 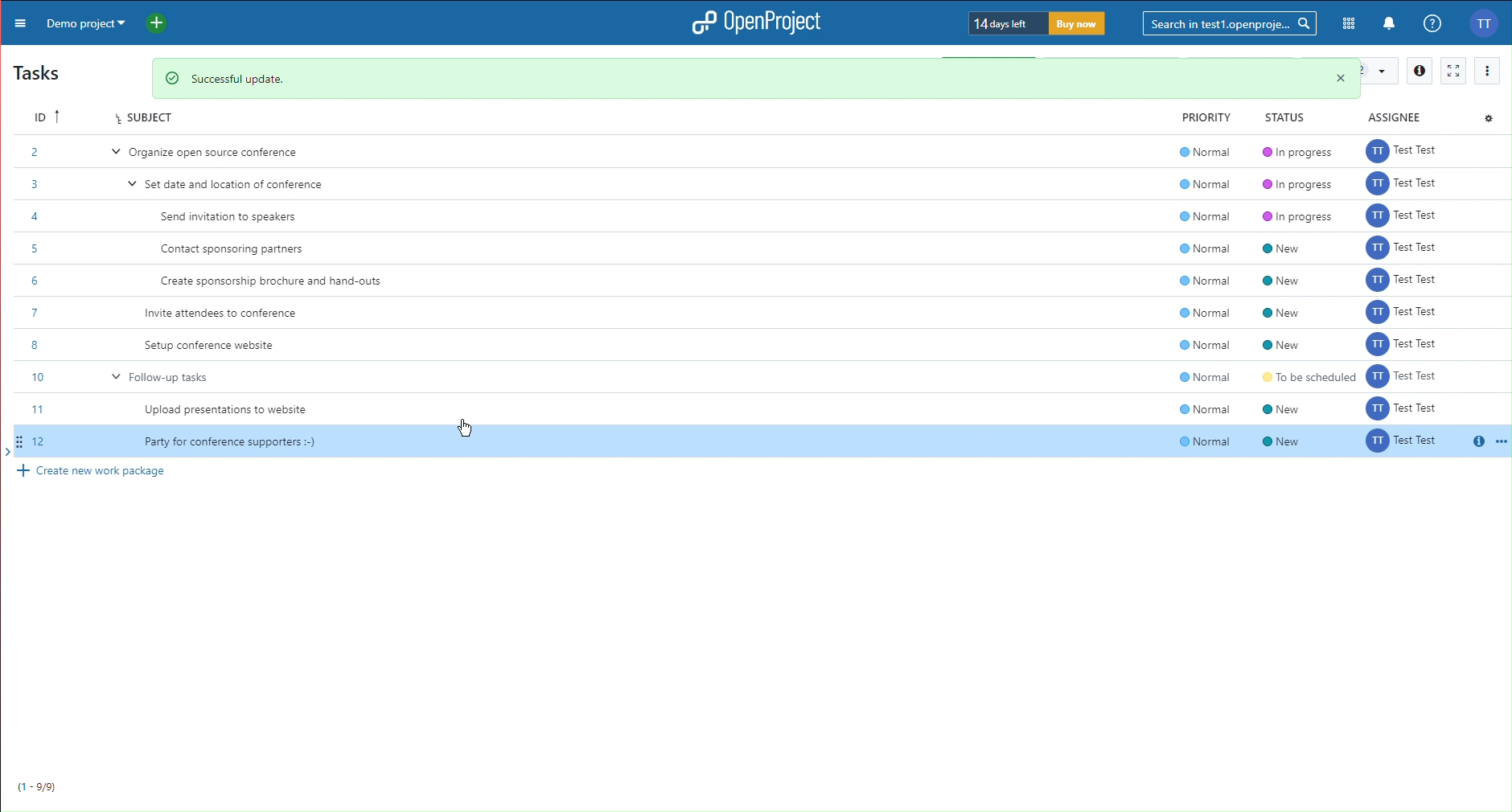 What do you see at coordinates (177, 376) in the screenshot?
I see `Follow-up tasks` at bounding box center [177, 376].